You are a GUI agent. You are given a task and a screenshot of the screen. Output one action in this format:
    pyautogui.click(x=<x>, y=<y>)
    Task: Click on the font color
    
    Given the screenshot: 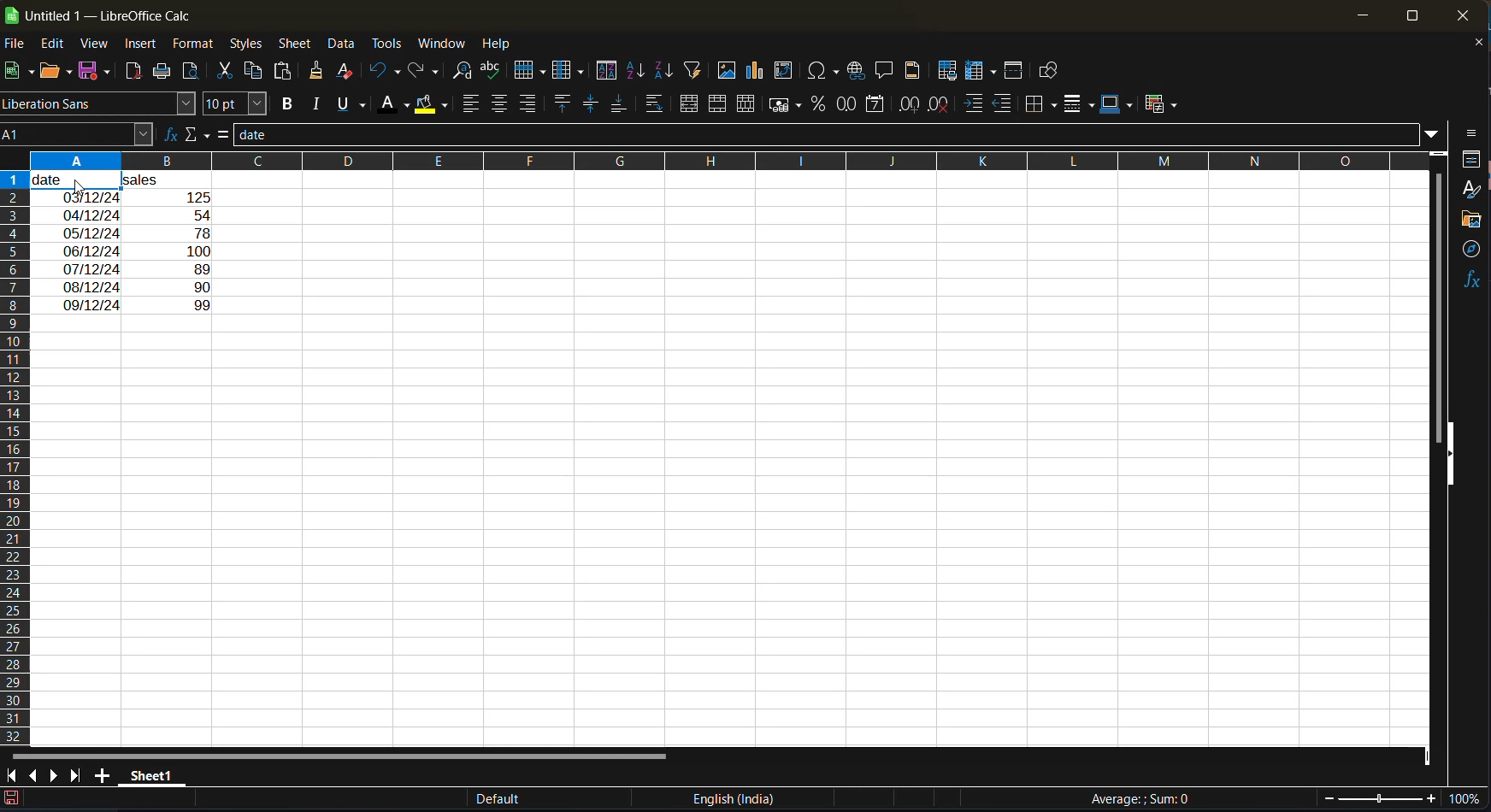 What is the action you would take?
    pyautogui.click(x=398, y=103)
    